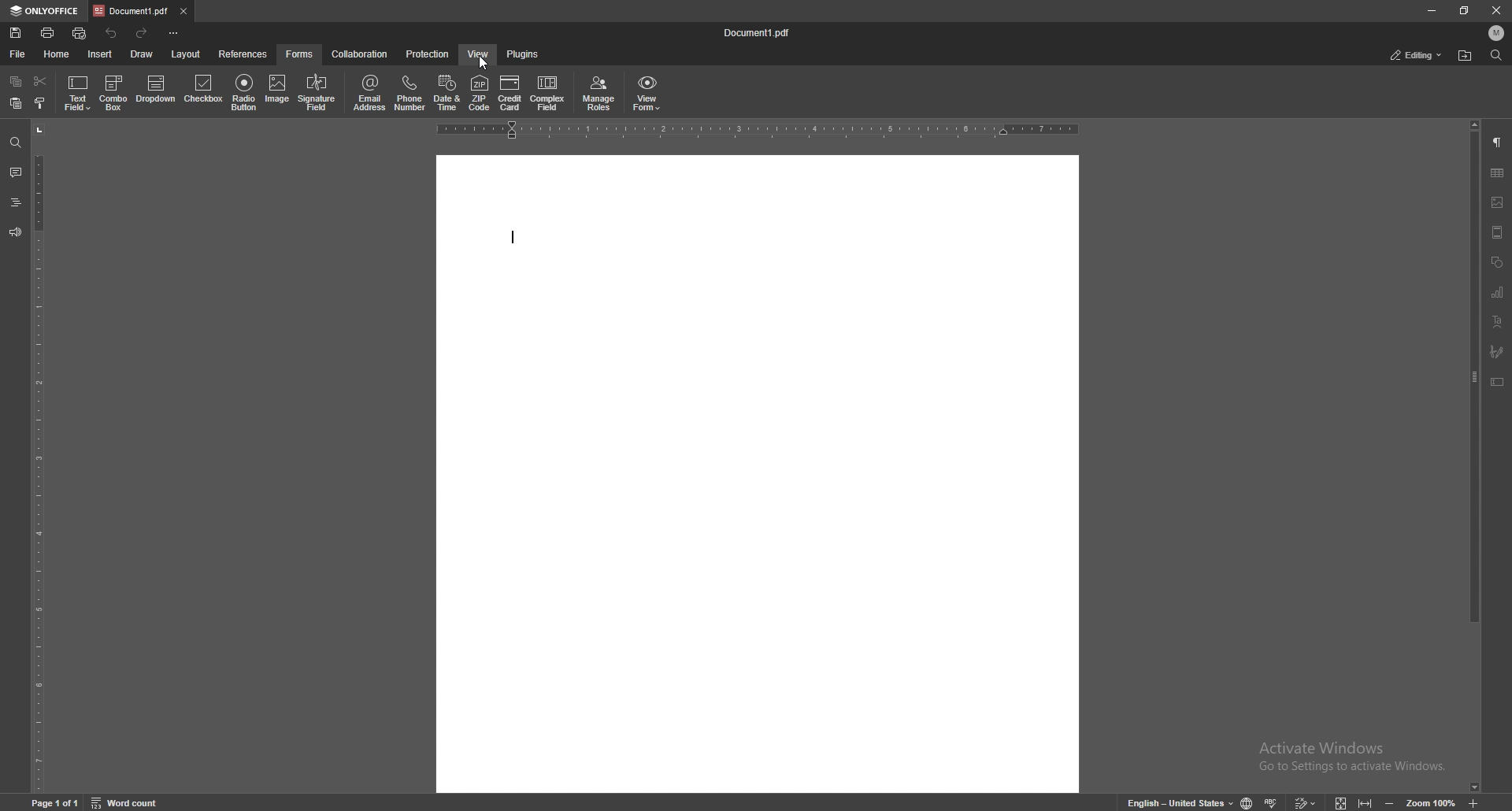 Image resolution: width=1512 pixels, height=811 pixels. Describe the element at coordinates (371, 92) in the screenshot. I see `email address` at that location.